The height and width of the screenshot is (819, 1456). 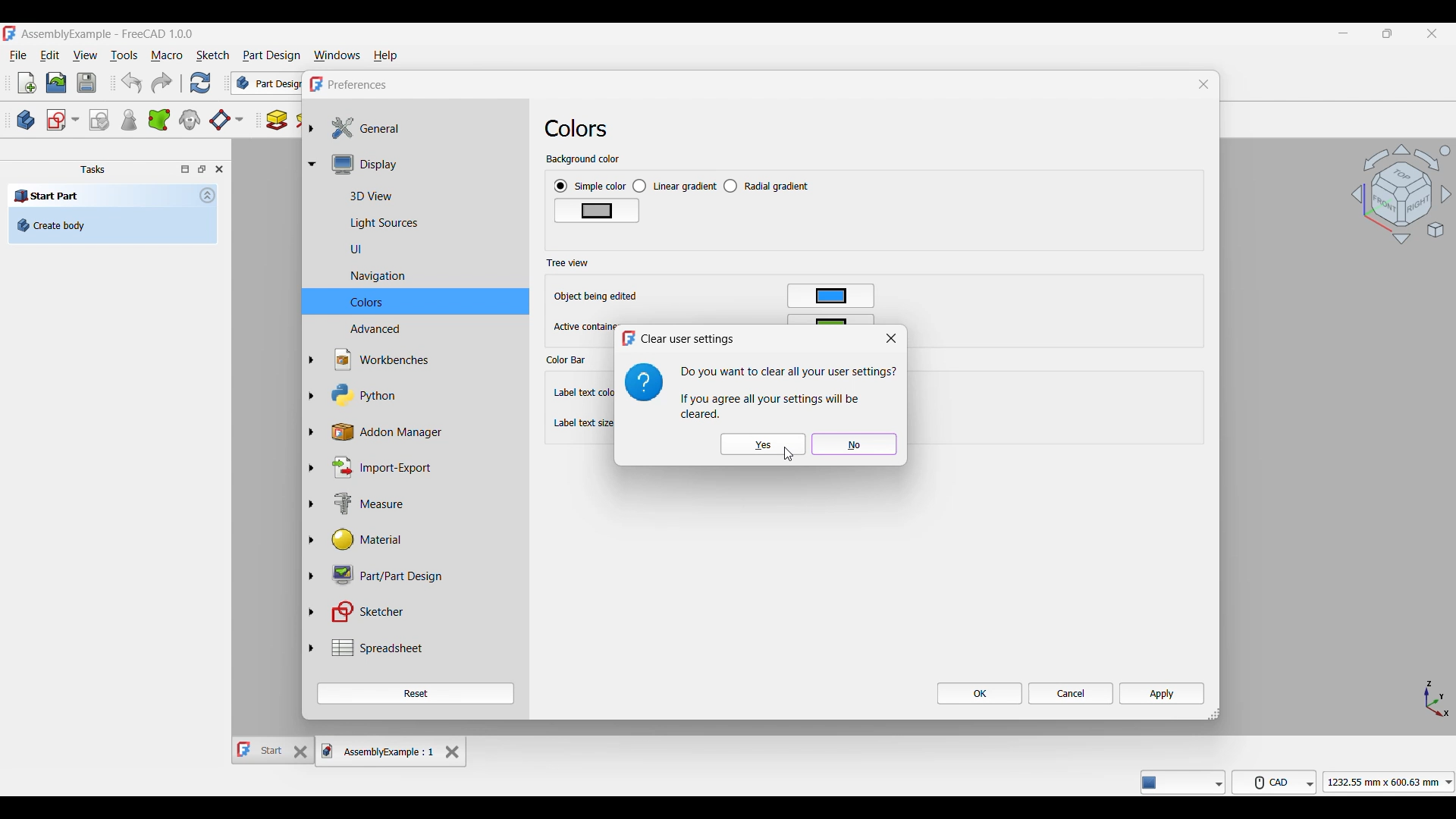 I want to click on CAD navigation style options, so click(x=1274, y=782).